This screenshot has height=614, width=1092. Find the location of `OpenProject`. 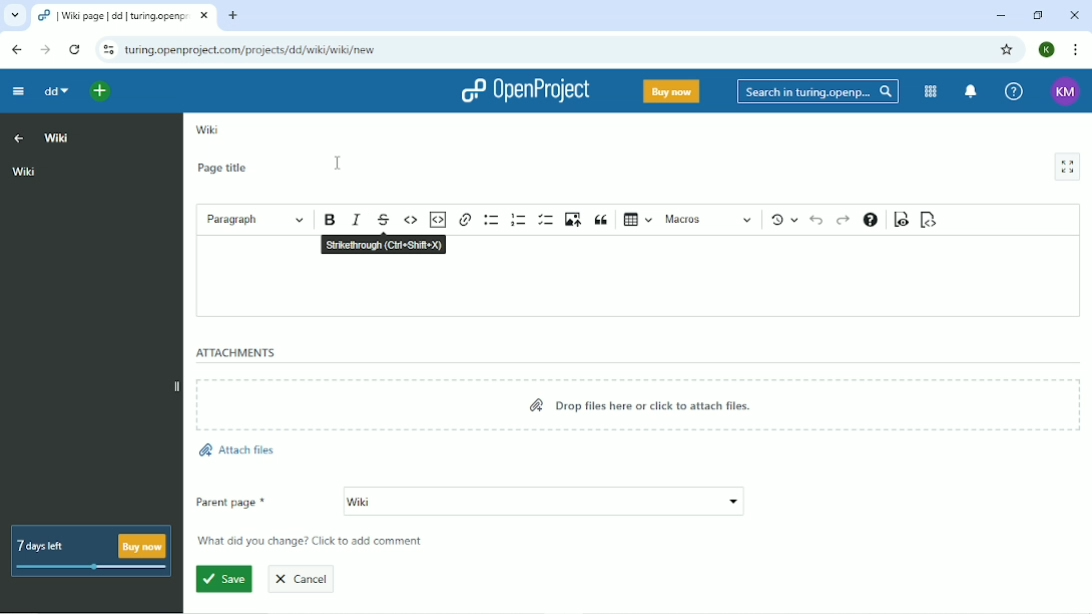

OpenProject is located at coordinates (525, 90).